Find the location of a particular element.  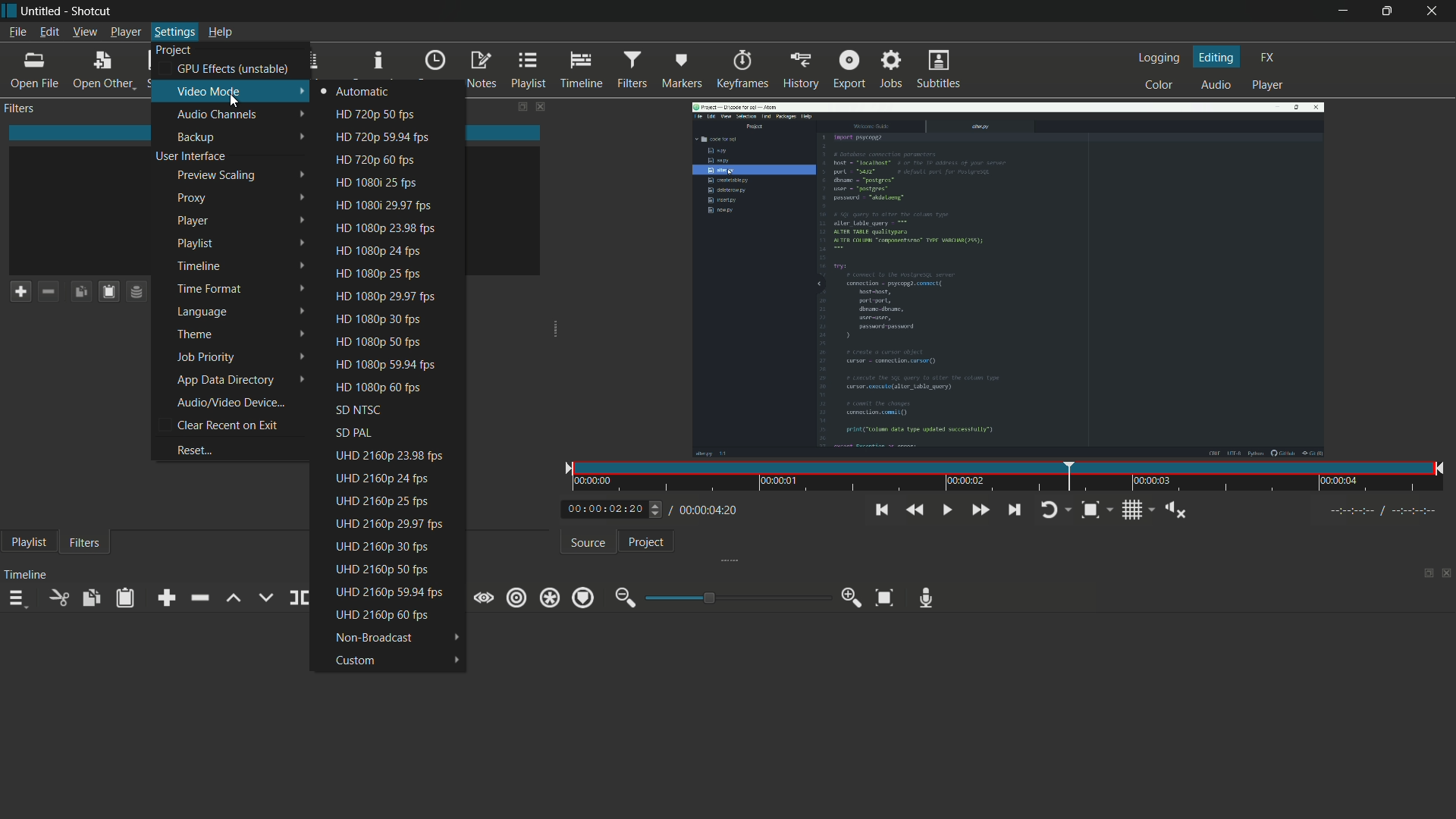

uhd 2160p 24 fps is located at coordinates (393, 479).